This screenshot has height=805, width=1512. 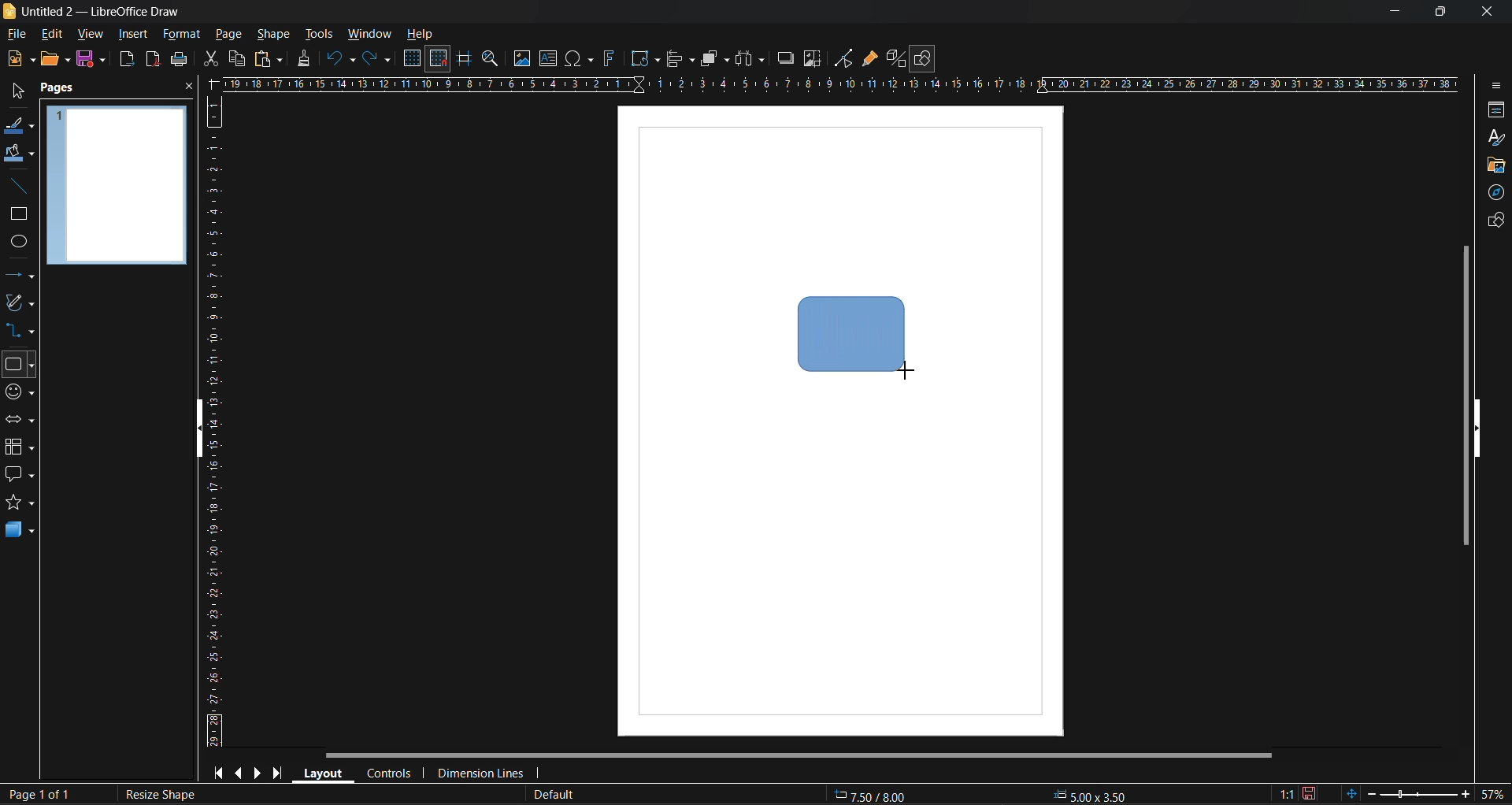 I want to click on connectors, so click(x=18, y=329).